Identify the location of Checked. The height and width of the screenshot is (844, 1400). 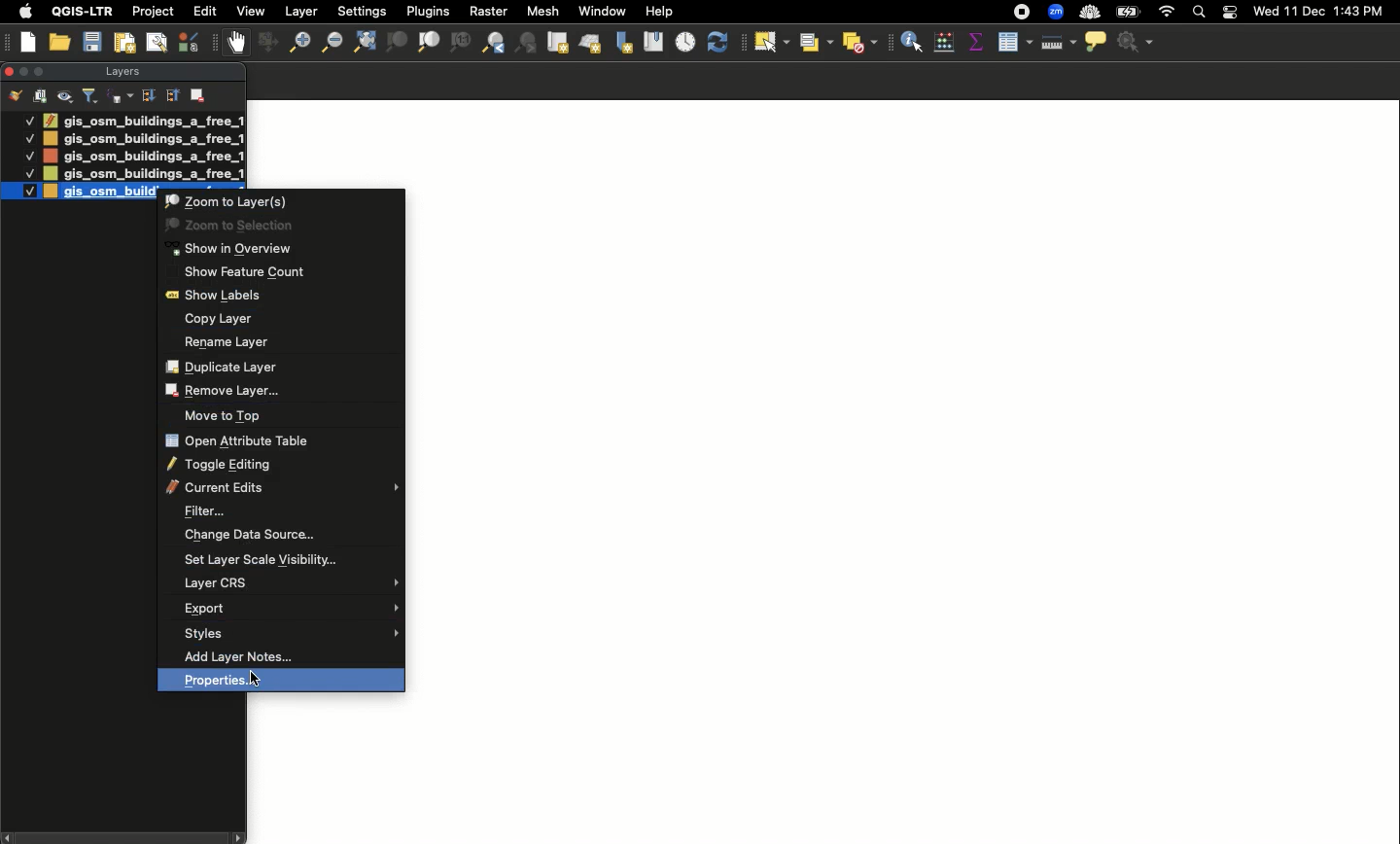
(19, 191).